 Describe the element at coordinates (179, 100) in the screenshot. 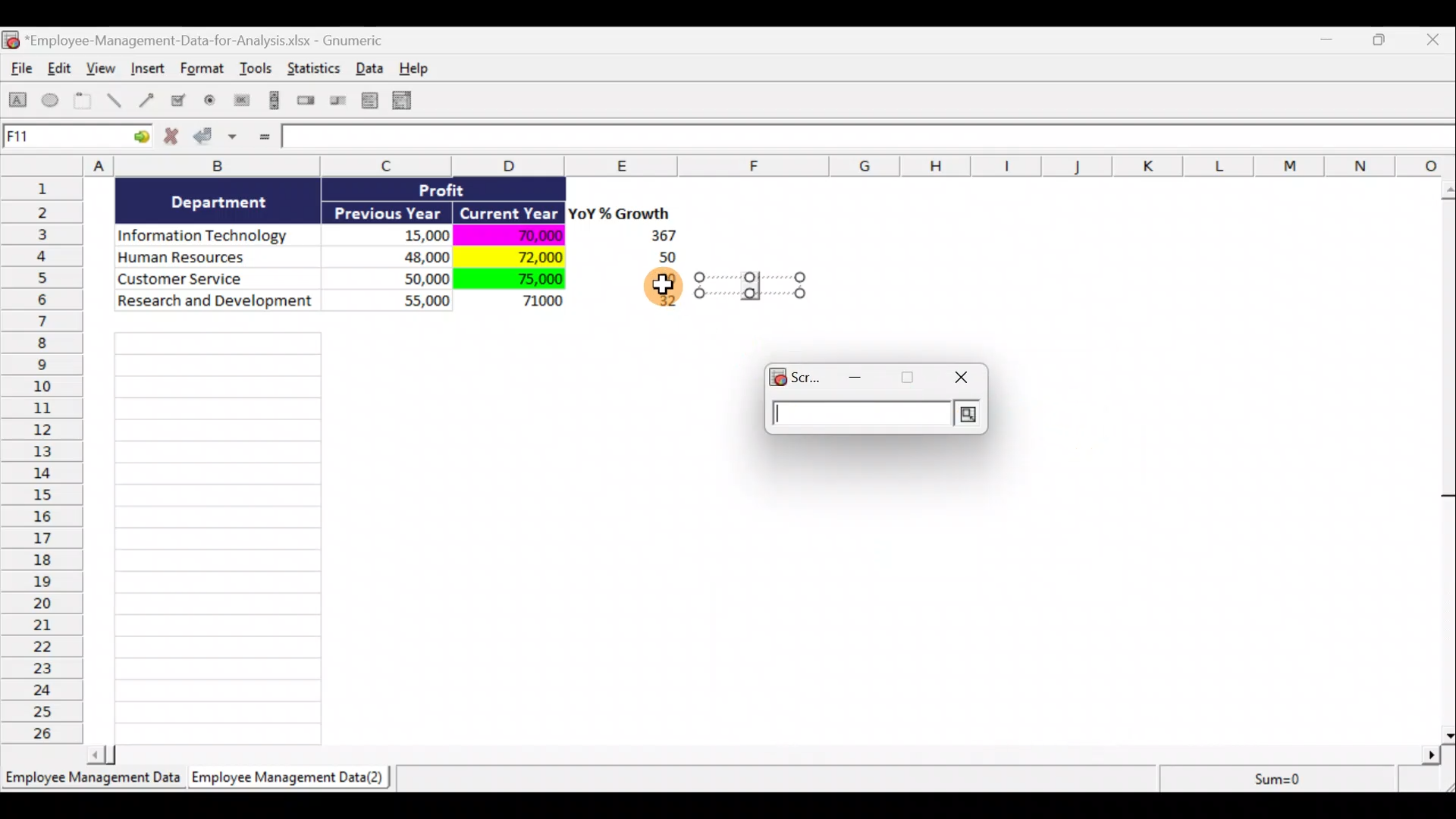

I see `Create a checkbox` at that location.